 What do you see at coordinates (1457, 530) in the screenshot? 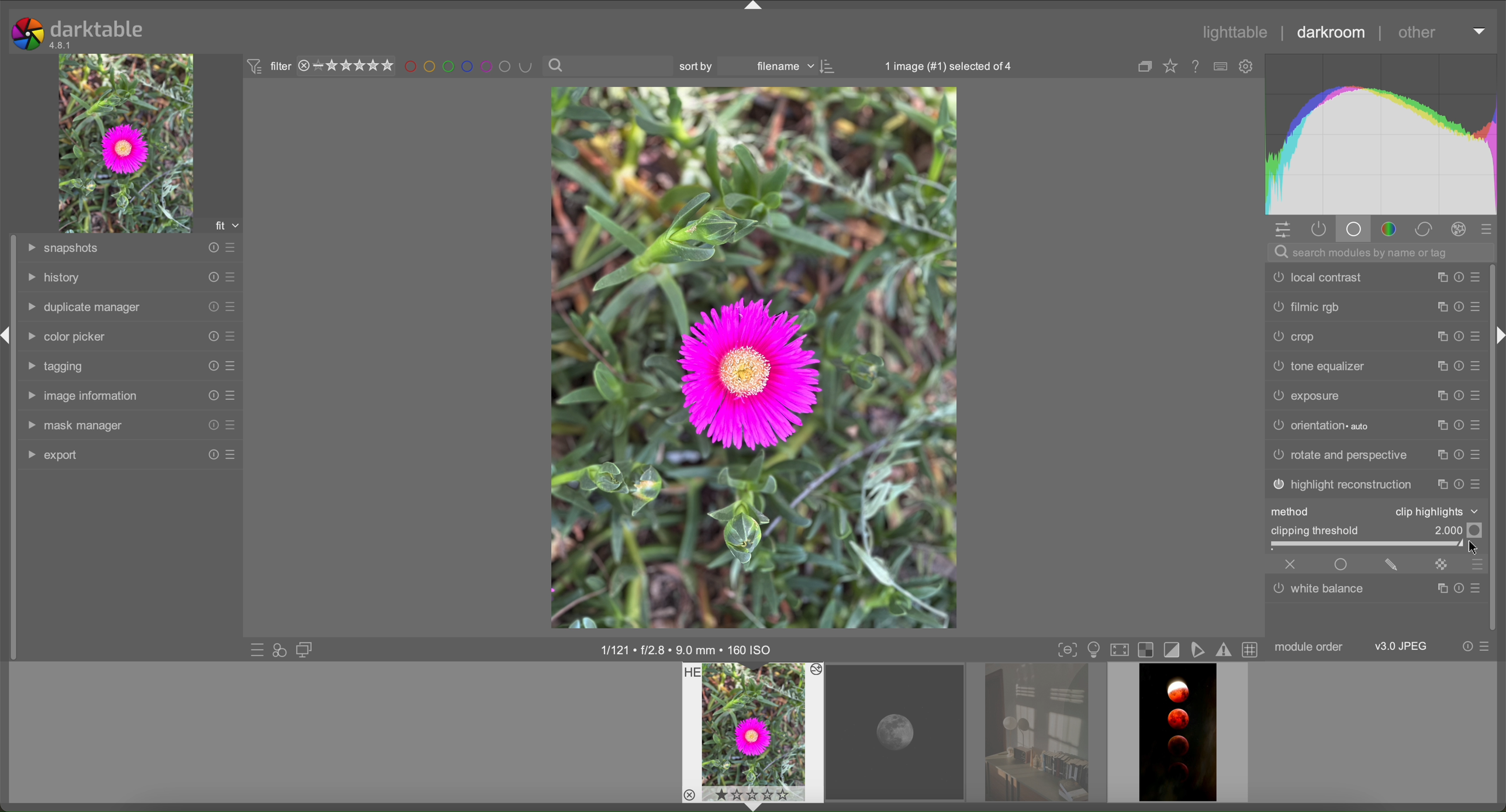
I see `Value` at bounding box center [1457, 530].